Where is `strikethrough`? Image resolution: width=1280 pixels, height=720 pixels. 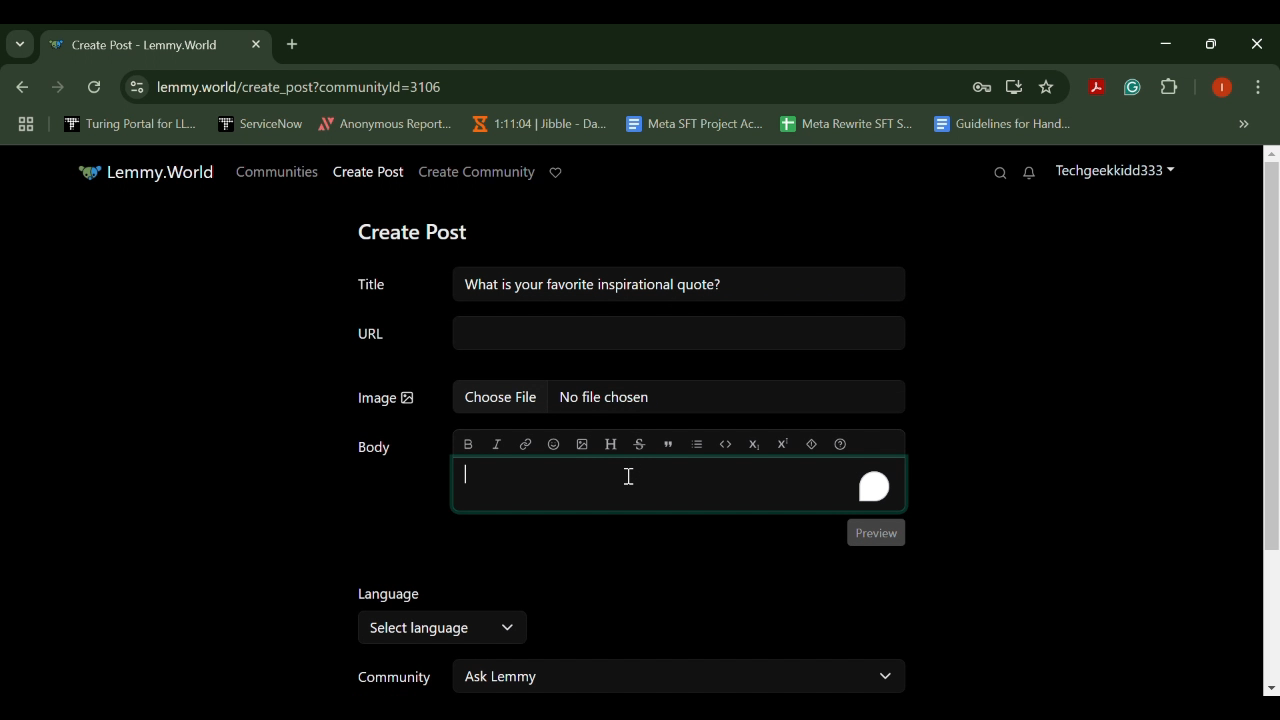
strikethrough is located at coordinates (639, 443).